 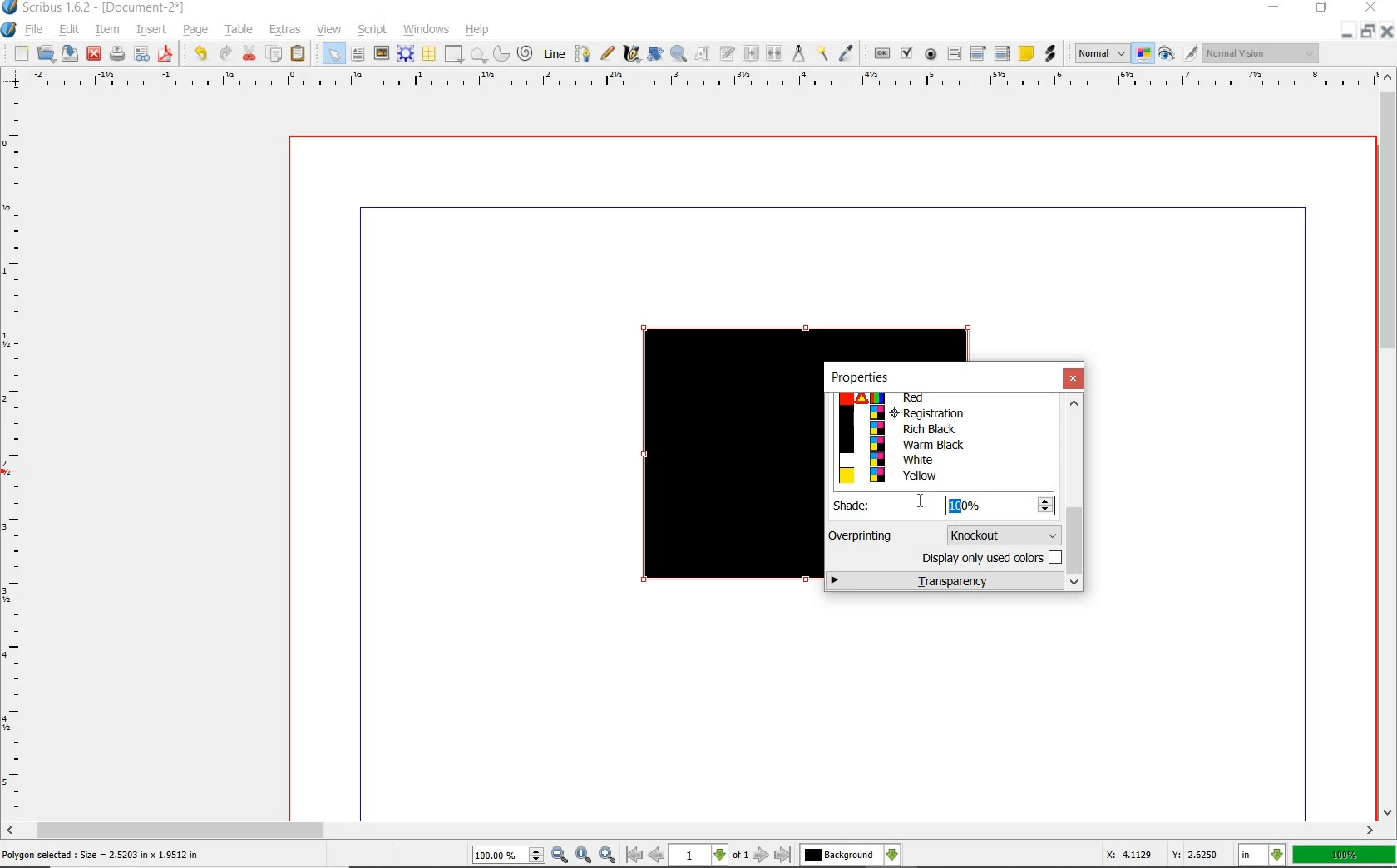 I want to click on Shade:, so click(x=863, y=506).